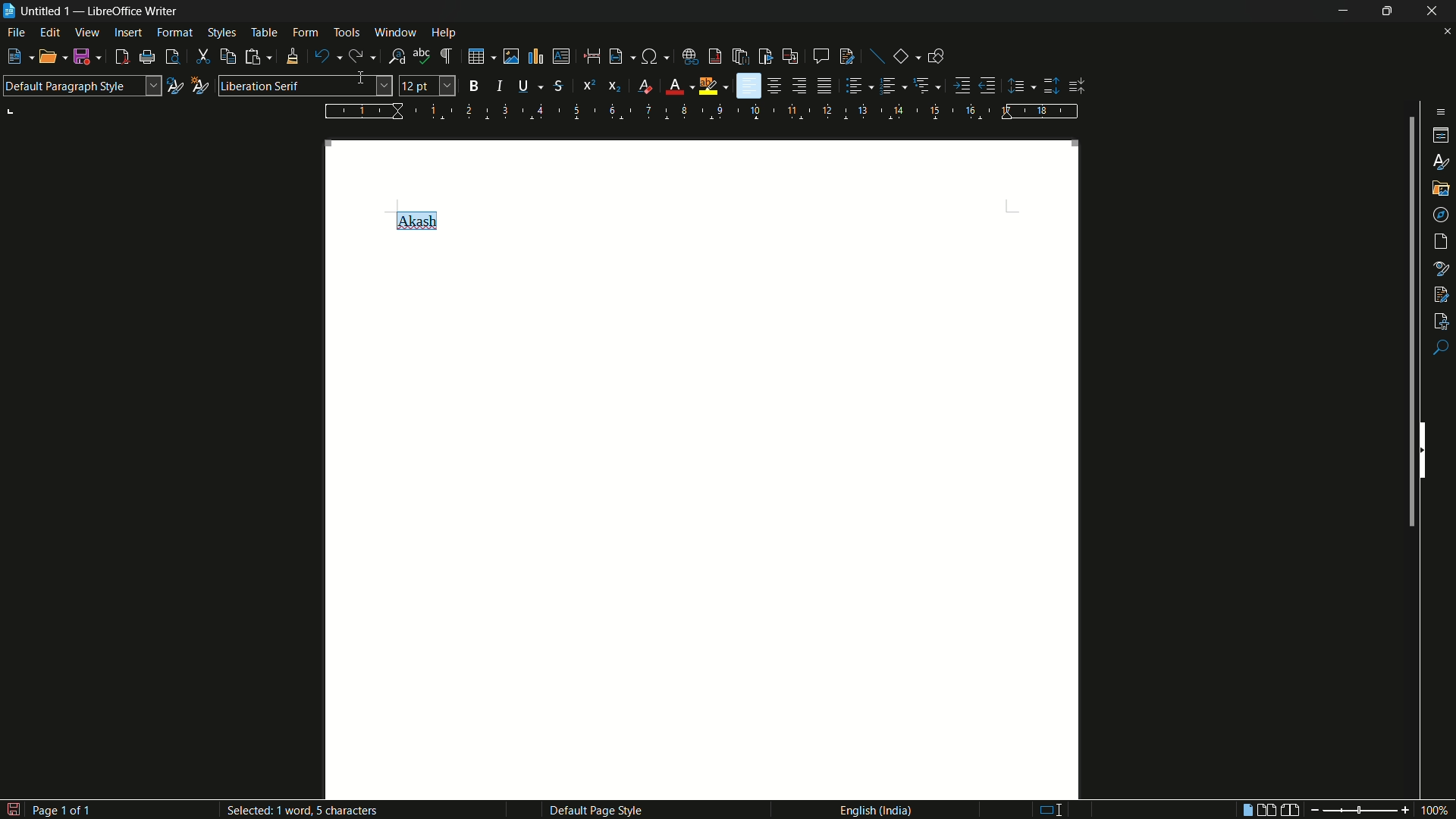 The height and width of the screenshot is (819, 1456). What do you see at coordinates (766, 56) in the screenshot?
I see `insert bookmark` at bounding box center [766, 56].